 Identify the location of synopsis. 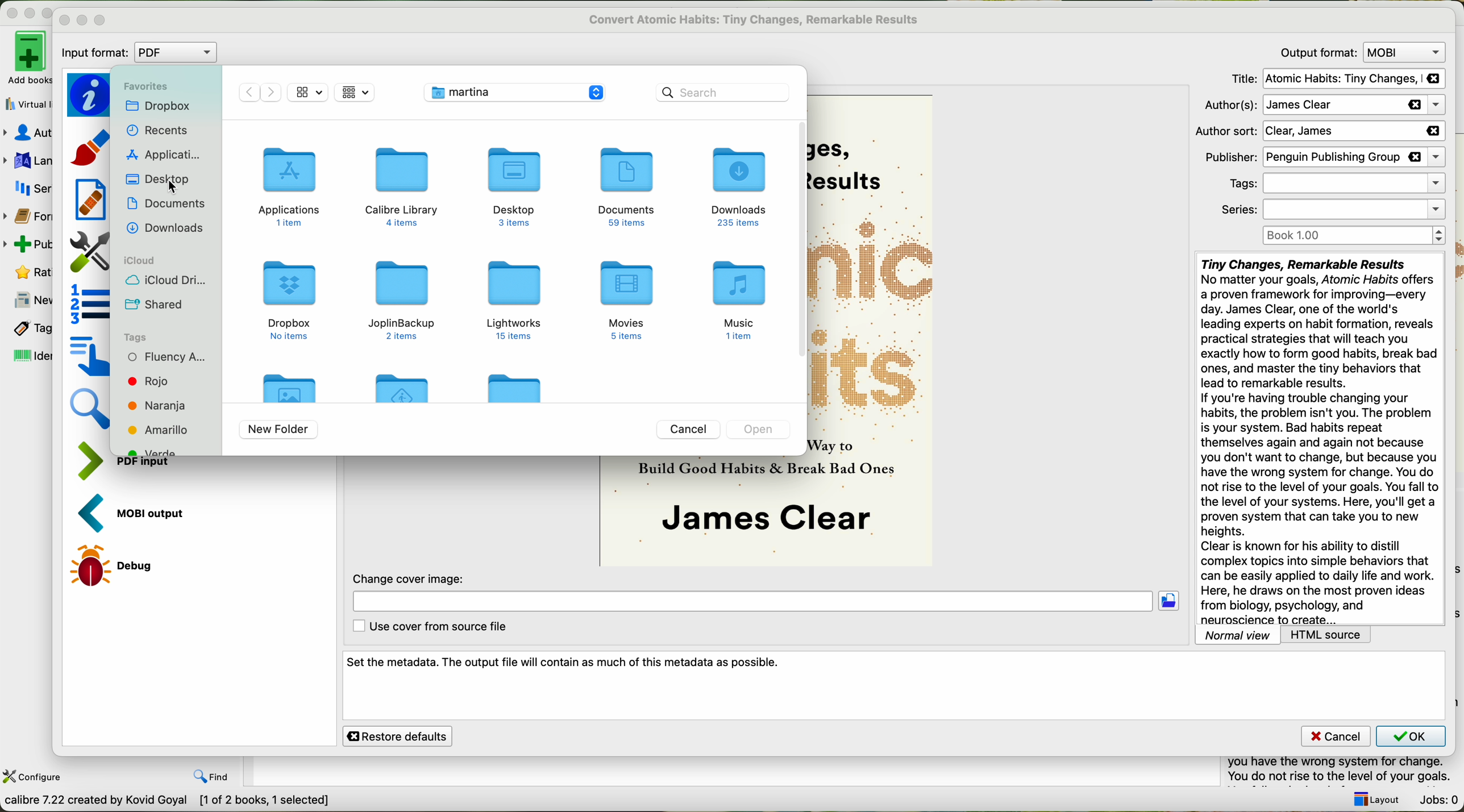
(1319, 439).